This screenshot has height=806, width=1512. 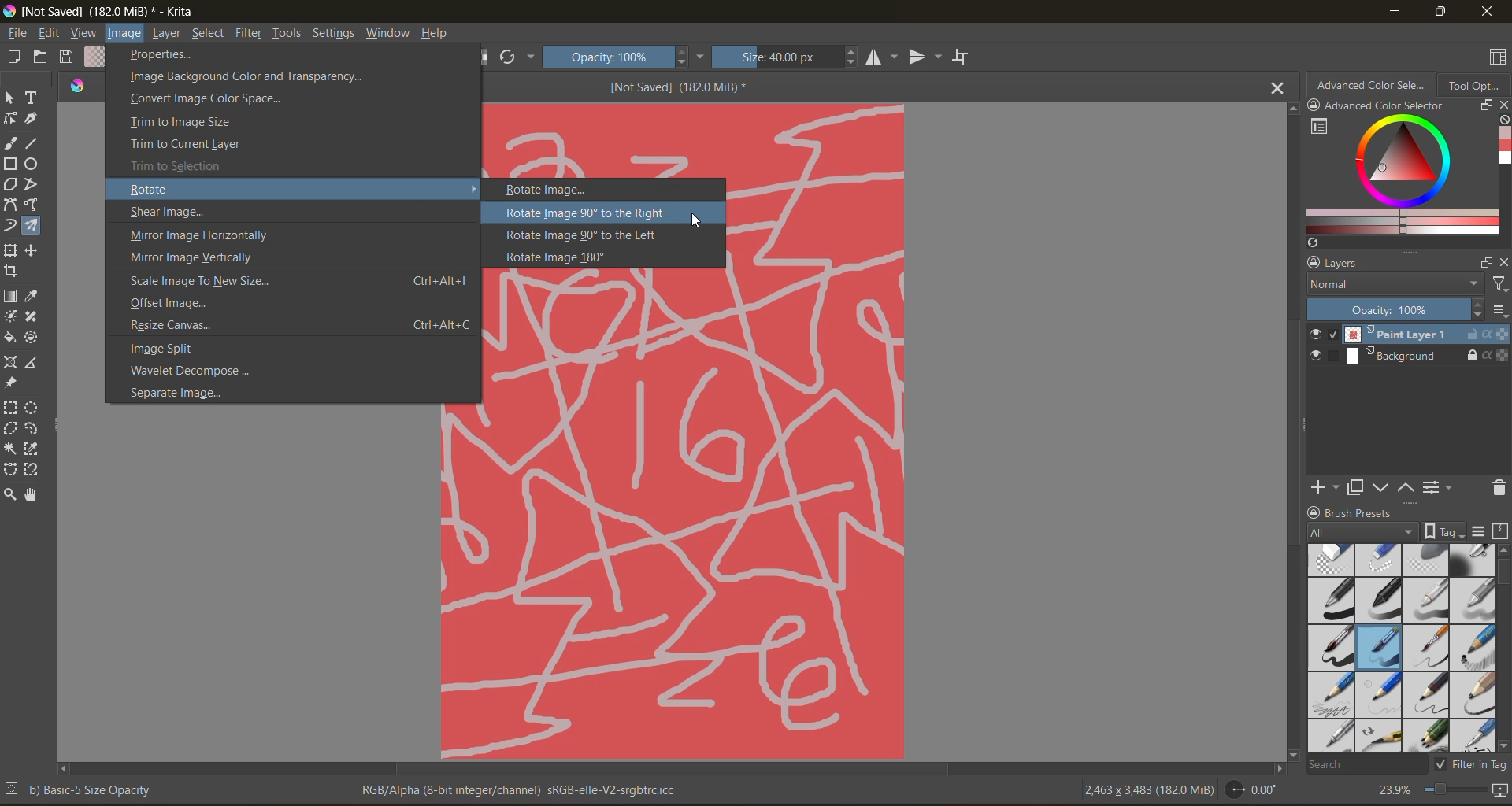 What do you see at coordinates (969, 57) in the screenshot?
I see `wrap around mode` at bounding box center [969, 57].